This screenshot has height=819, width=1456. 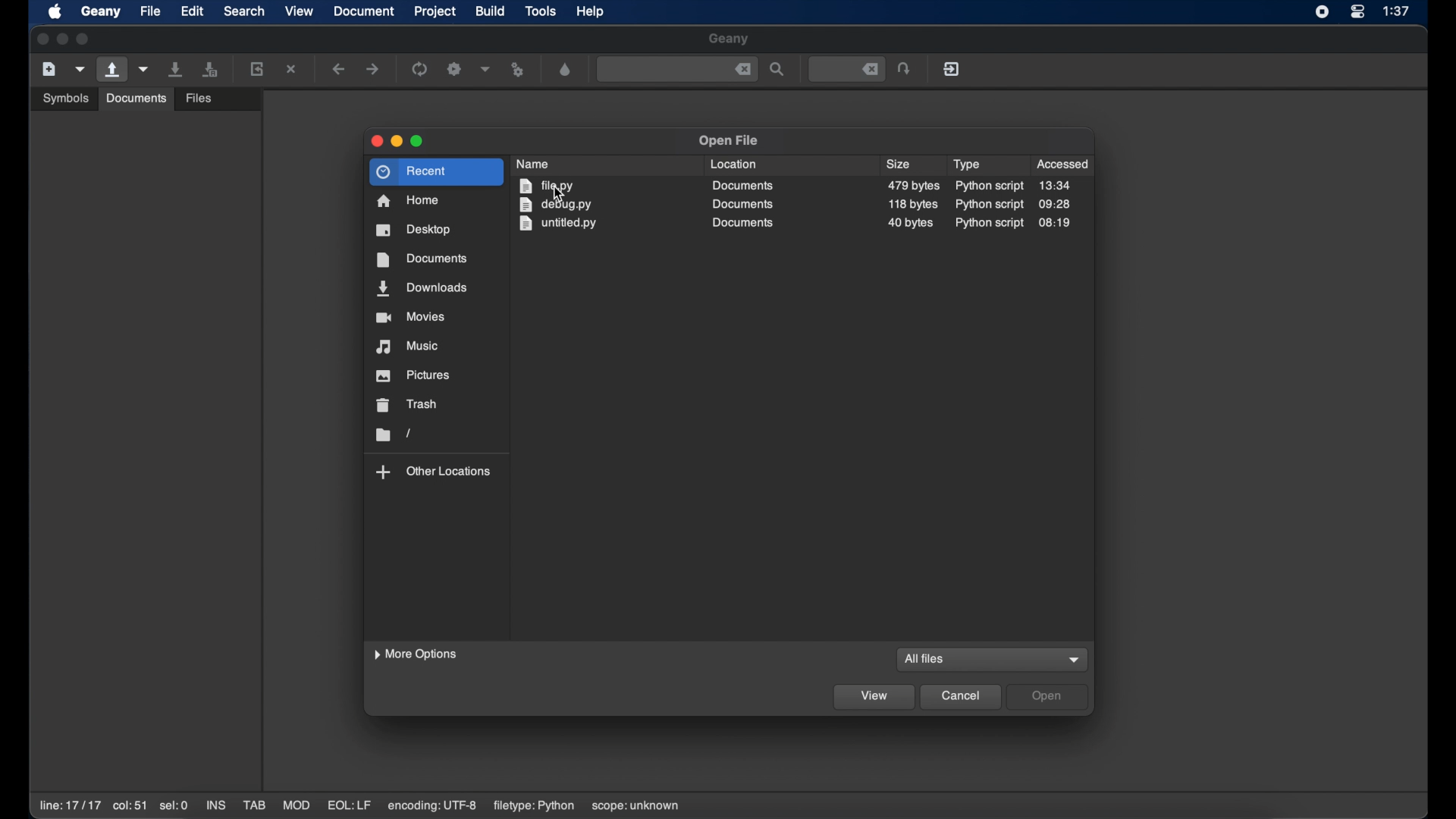 I want to click on dropdown, so click(x=1075, y=660).